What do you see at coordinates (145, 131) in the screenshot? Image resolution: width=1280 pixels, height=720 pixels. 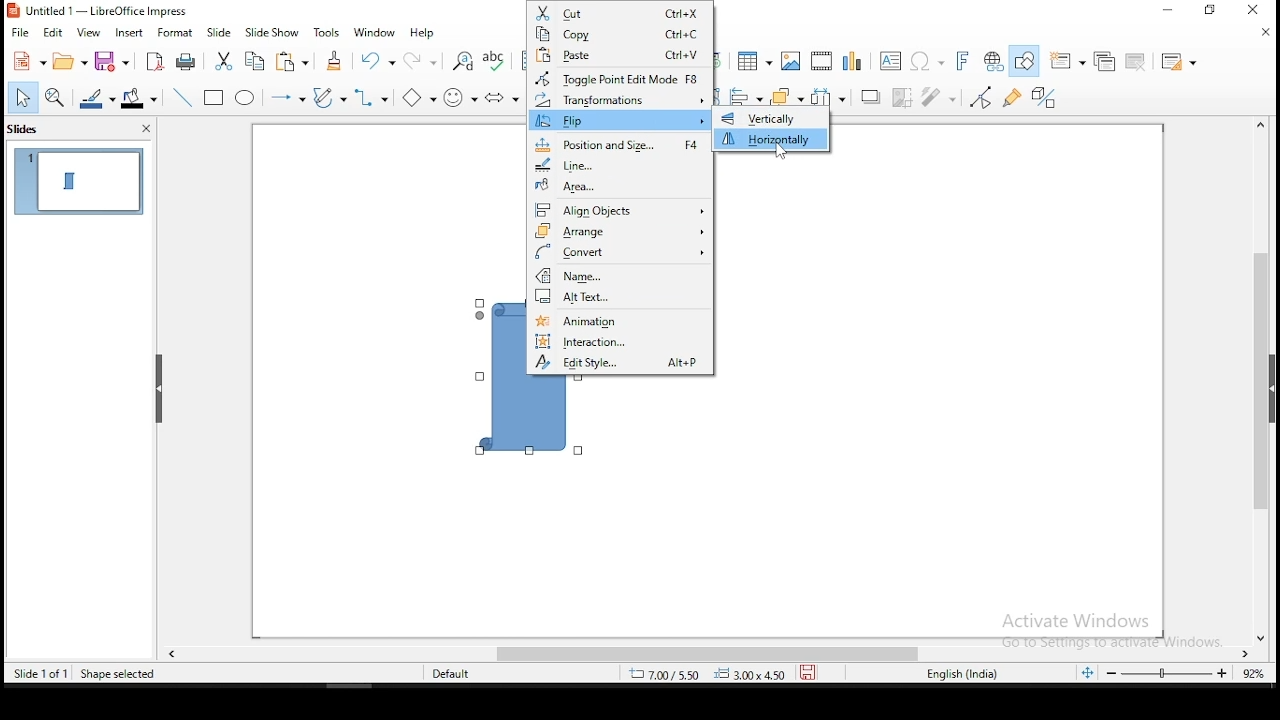 I see `close pane` at bounding box center [145, 131].